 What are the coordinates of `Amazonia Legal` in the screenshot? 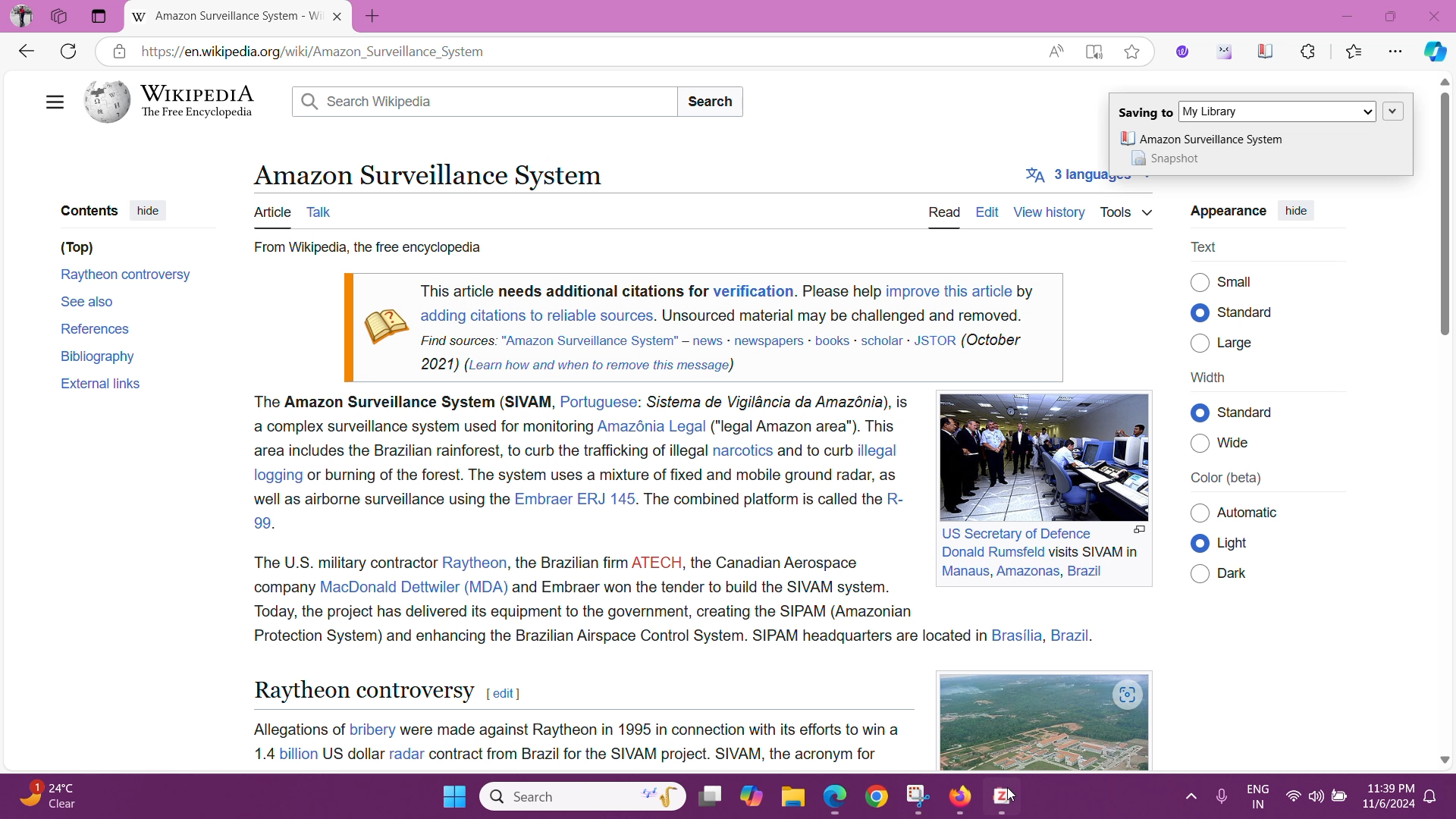 It's located at (652, 426).